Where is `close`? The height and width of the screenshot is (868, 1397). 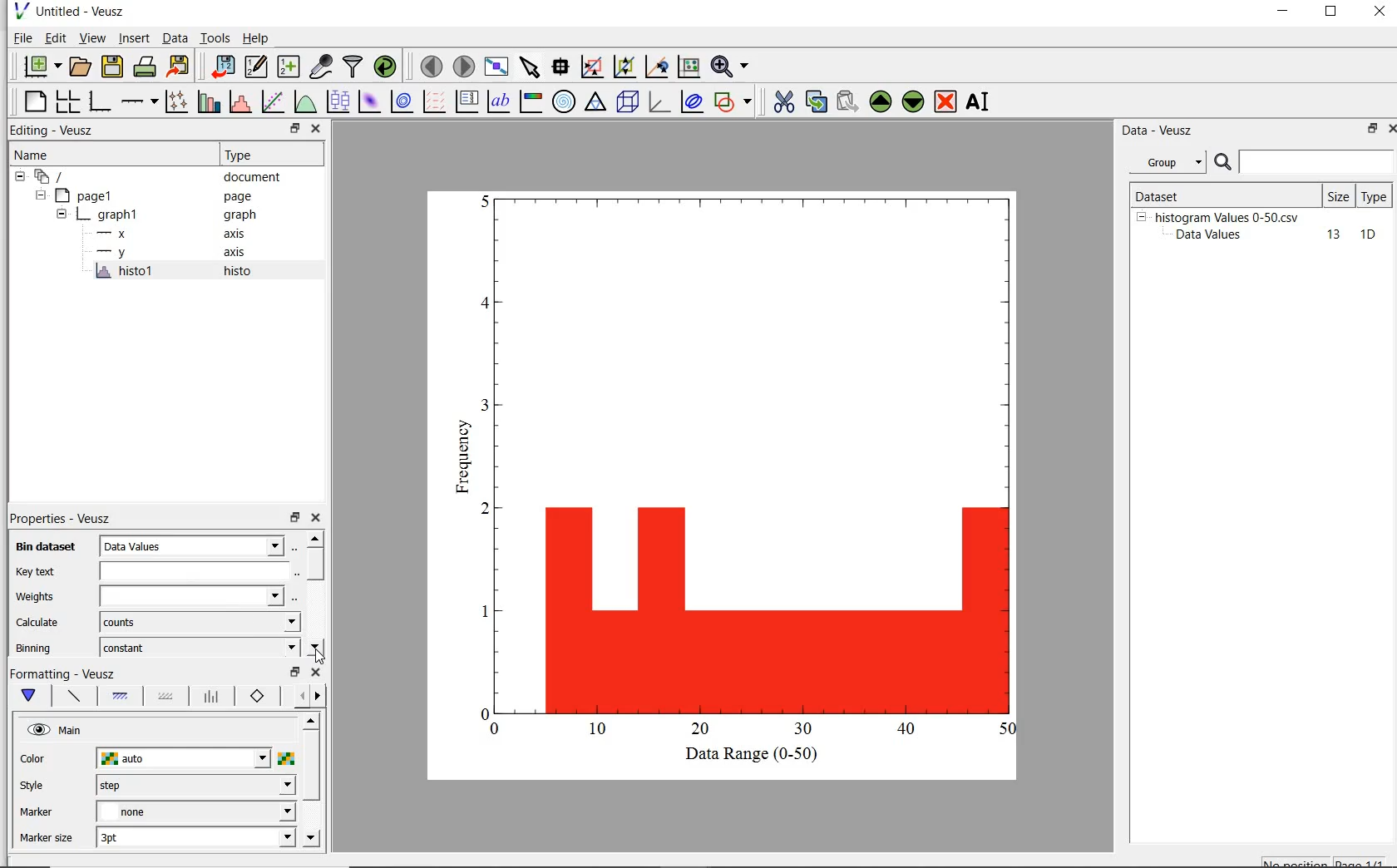
close is located at coordinates (317, 129).